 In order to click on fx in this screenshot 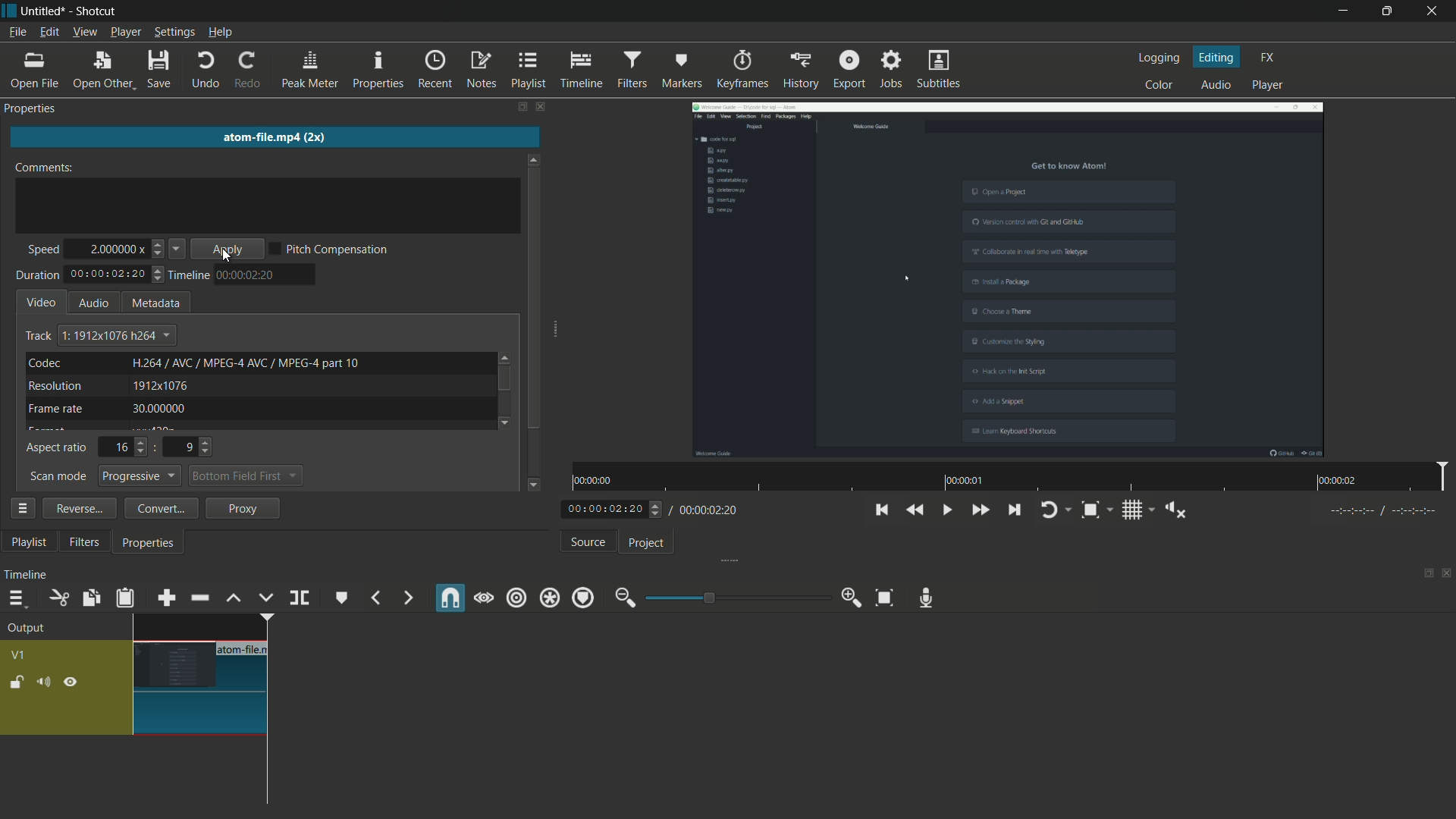, I will do `click(1267, 58)`.